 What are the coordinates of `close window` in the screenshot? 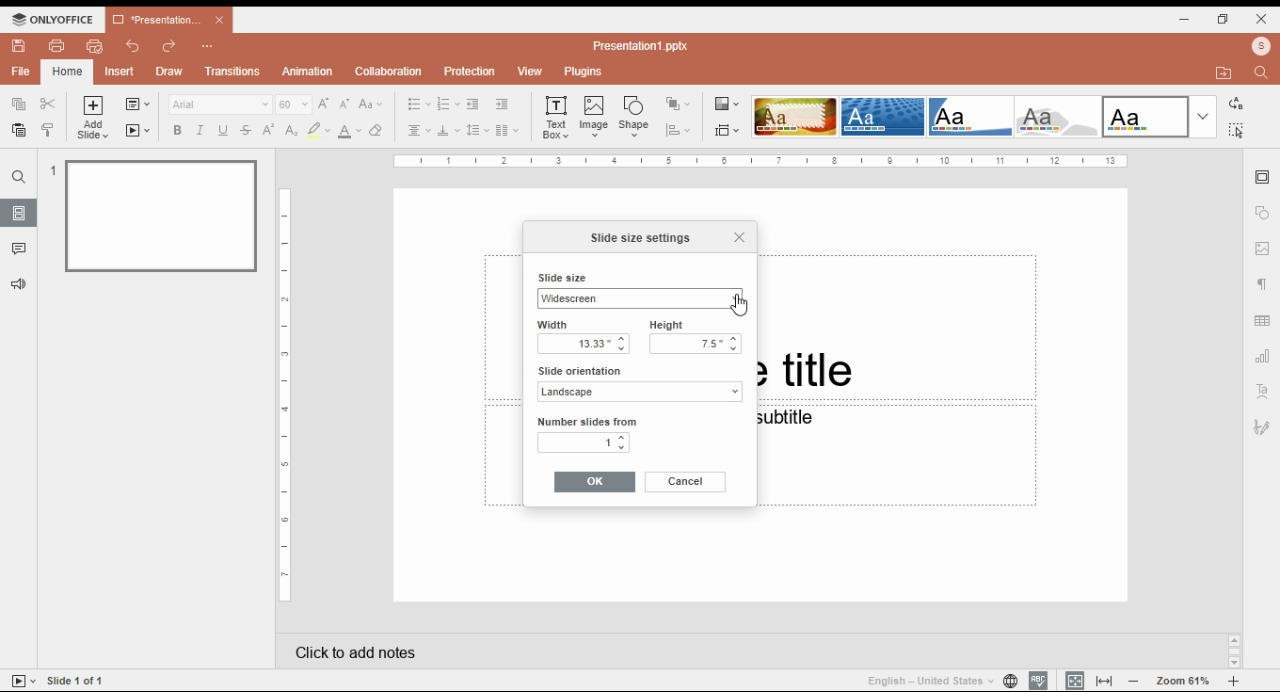 It's located at (734, 238).